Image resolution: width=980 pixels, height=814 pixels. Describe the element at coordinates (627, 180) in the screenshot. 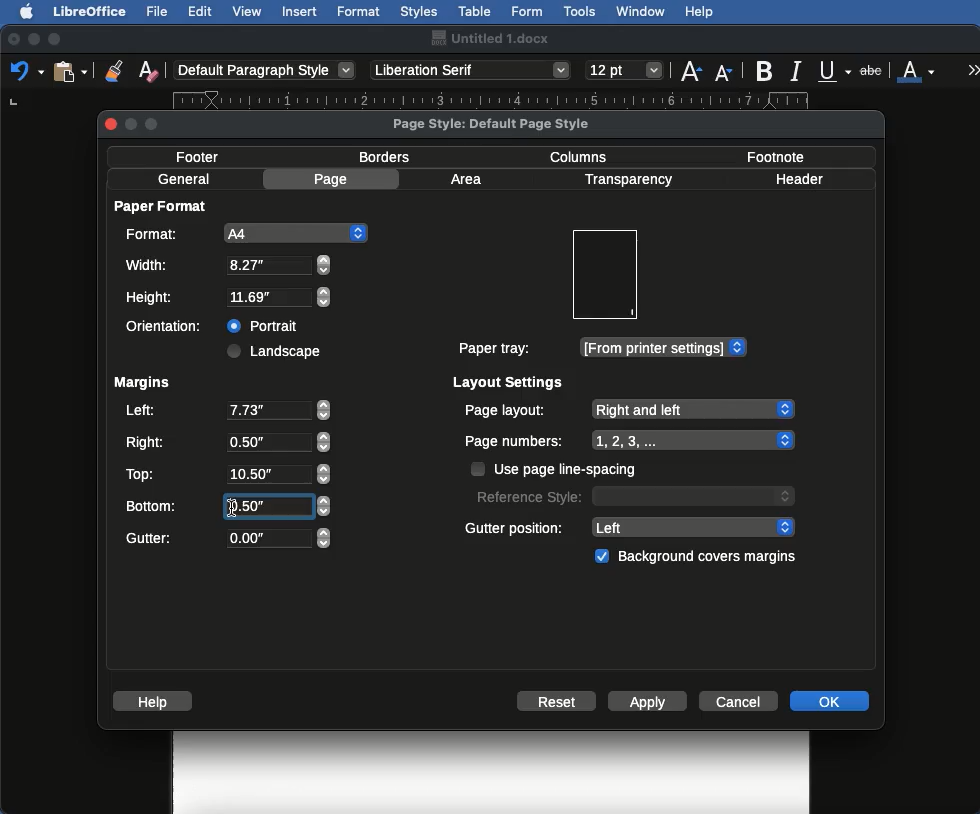

I see `Transparency` at that location.